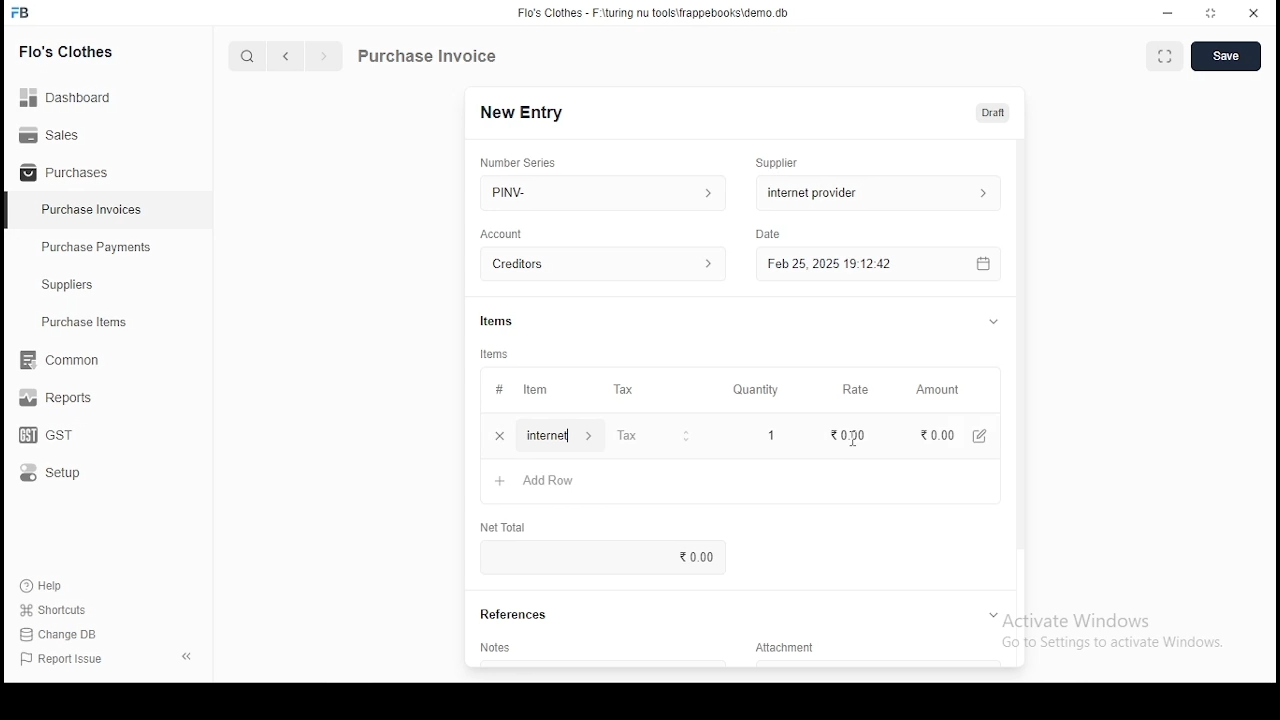 The width and height of the screenshot is (1280, 720). I want to click on minimize, so click(1170, 12).